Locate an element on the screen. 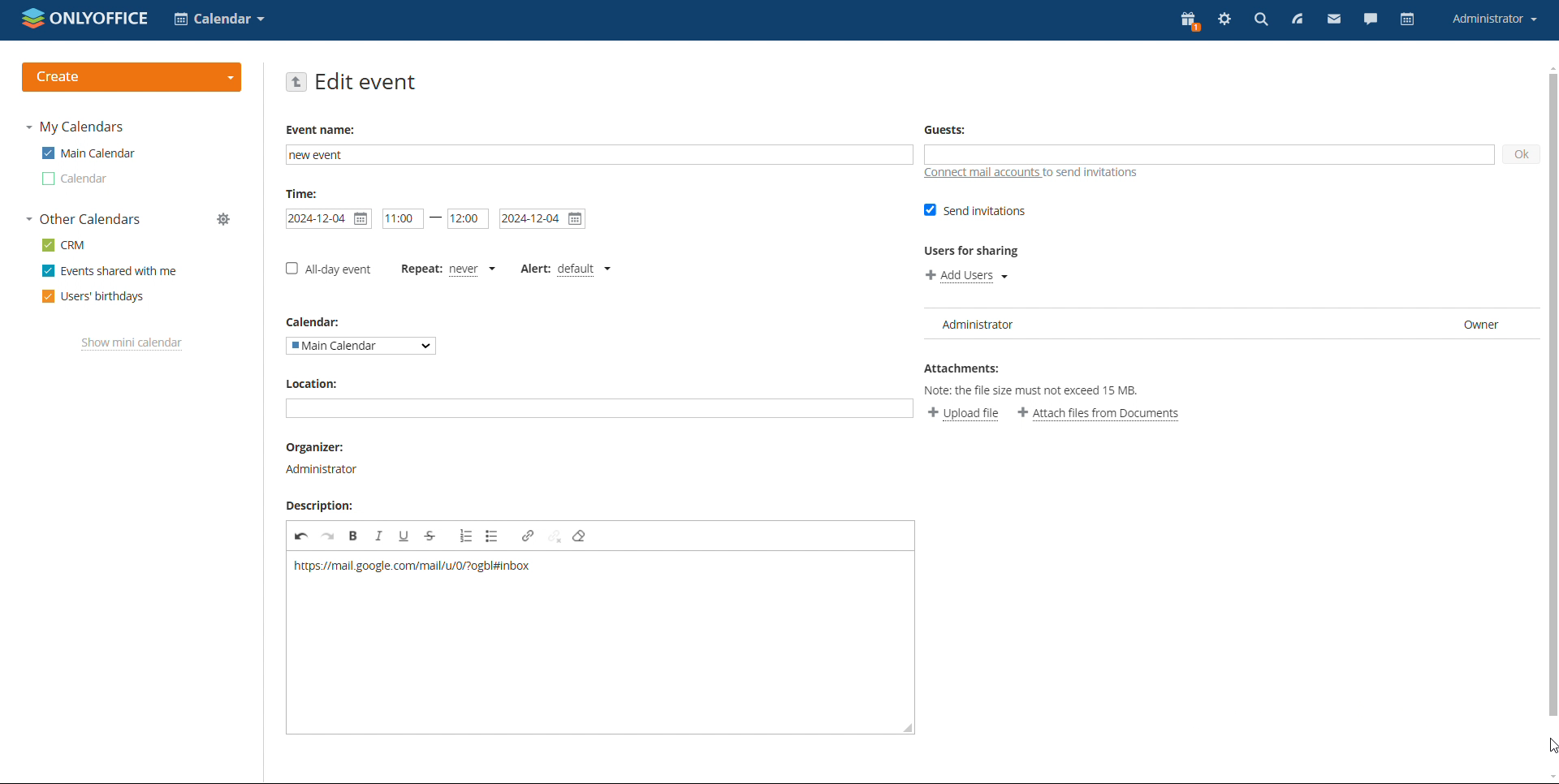 This screenshot has height=784, width=1559. connect mail accounts is located at coordinates (978, 173).